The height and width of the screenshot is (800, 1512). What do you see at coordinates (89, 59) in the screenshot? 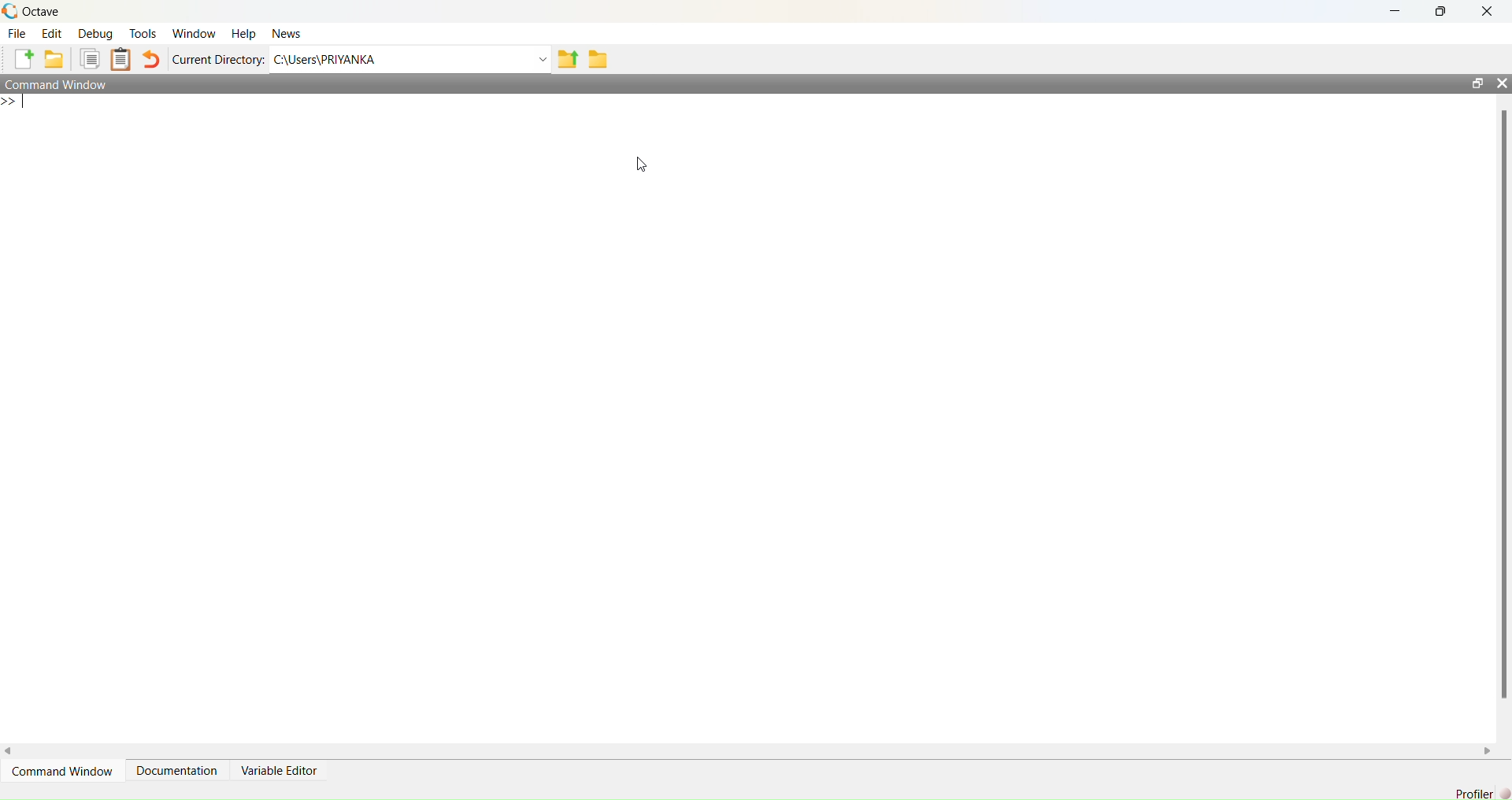
I see `copy` at bounding box center [89, 59].